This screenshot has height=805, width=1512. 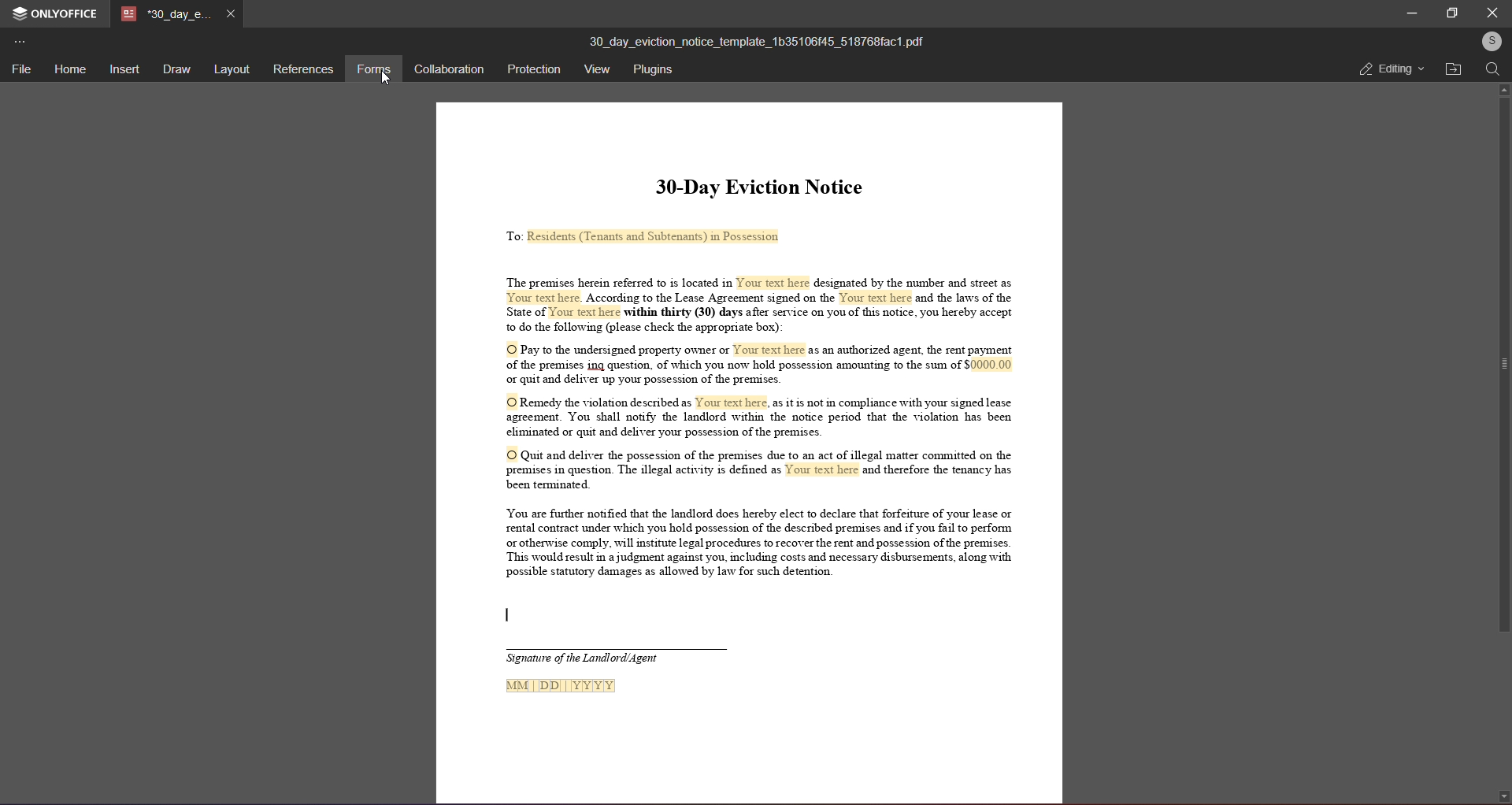 I want to click on tab name, so click(x=168, y=14).